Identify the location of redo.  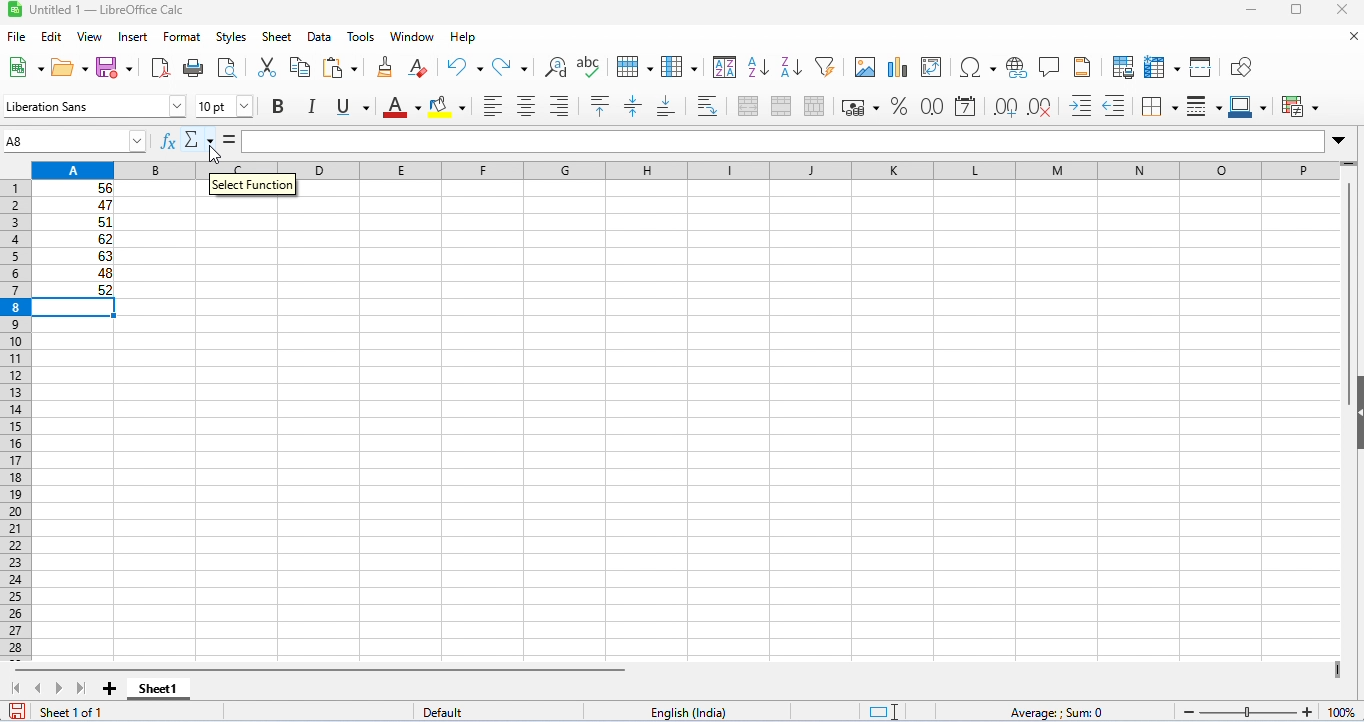
(512, 67).